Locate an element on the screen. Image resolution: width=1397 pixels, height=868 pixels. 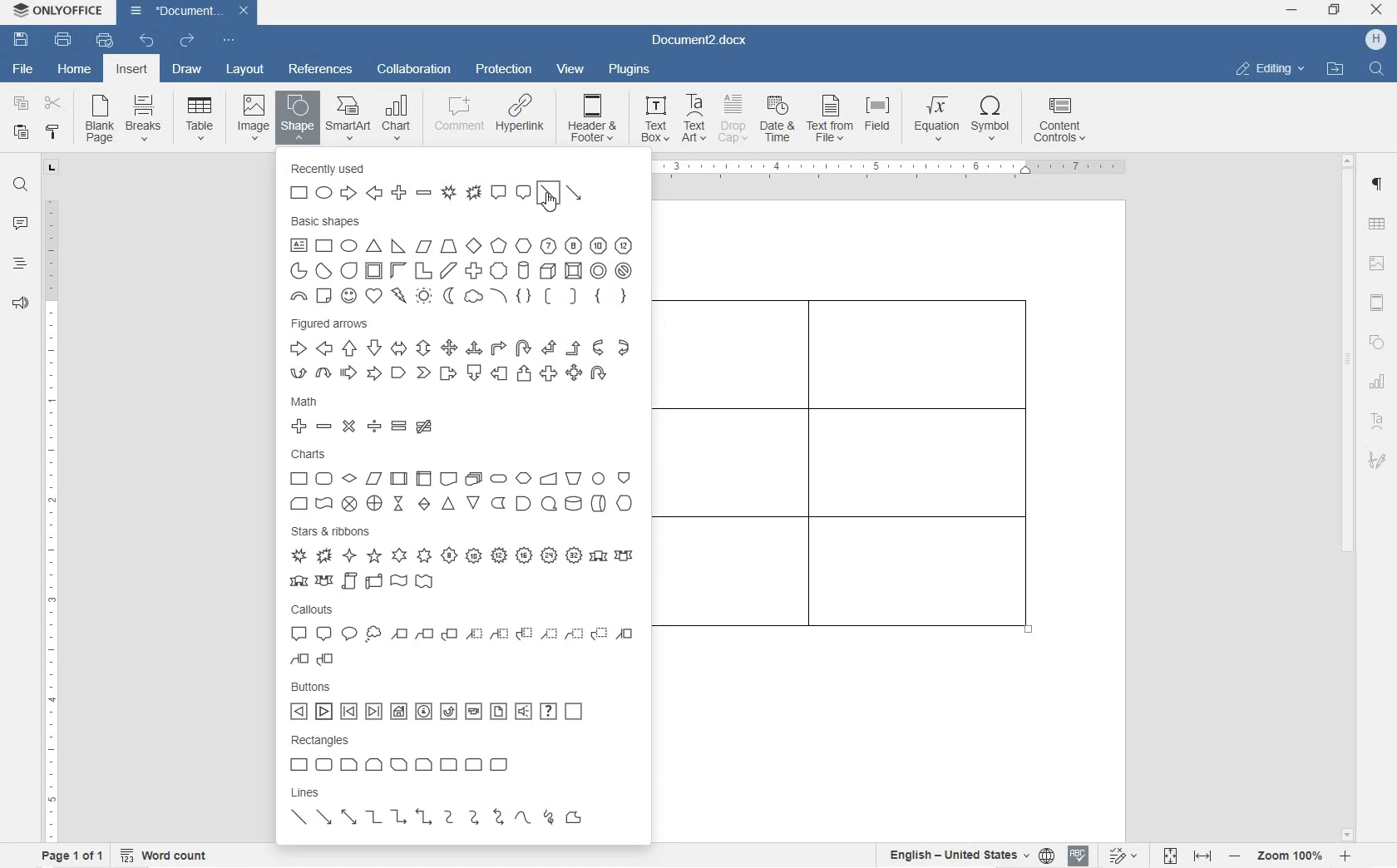
TEXT ART is located at coordinates (692, 120).